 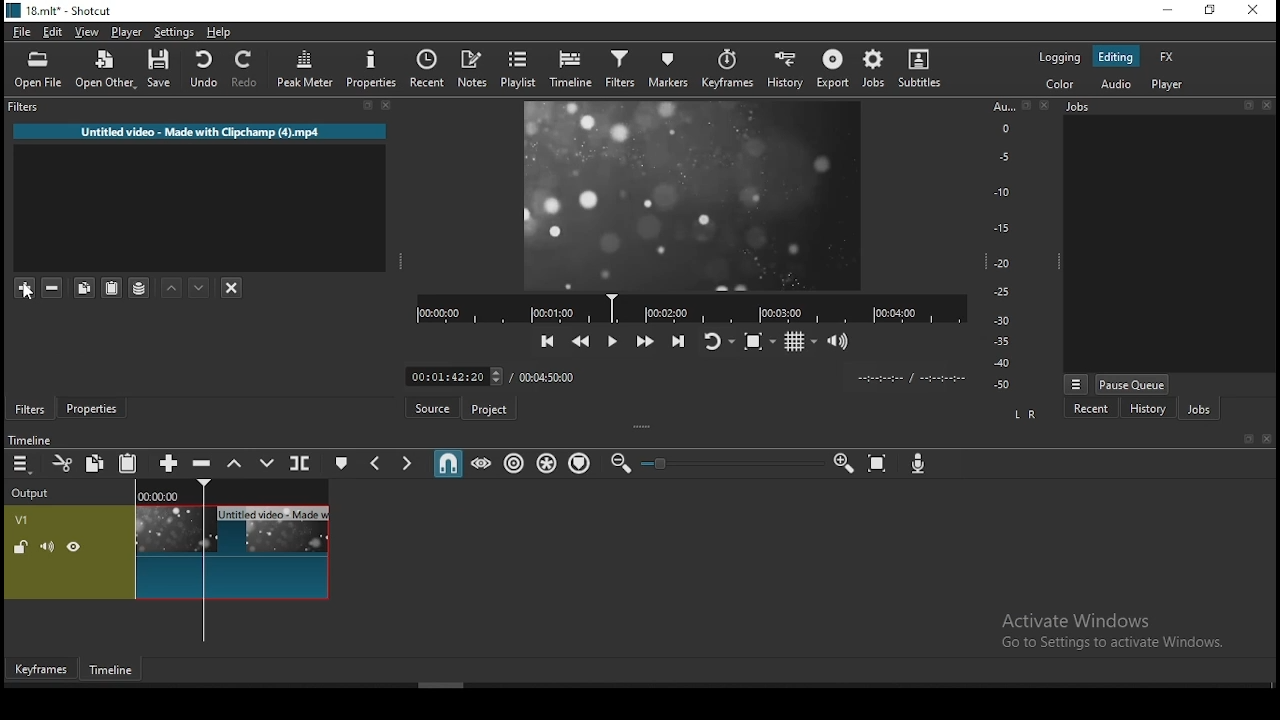 I want to click on toggle zoom, so click(x=760, y=341).